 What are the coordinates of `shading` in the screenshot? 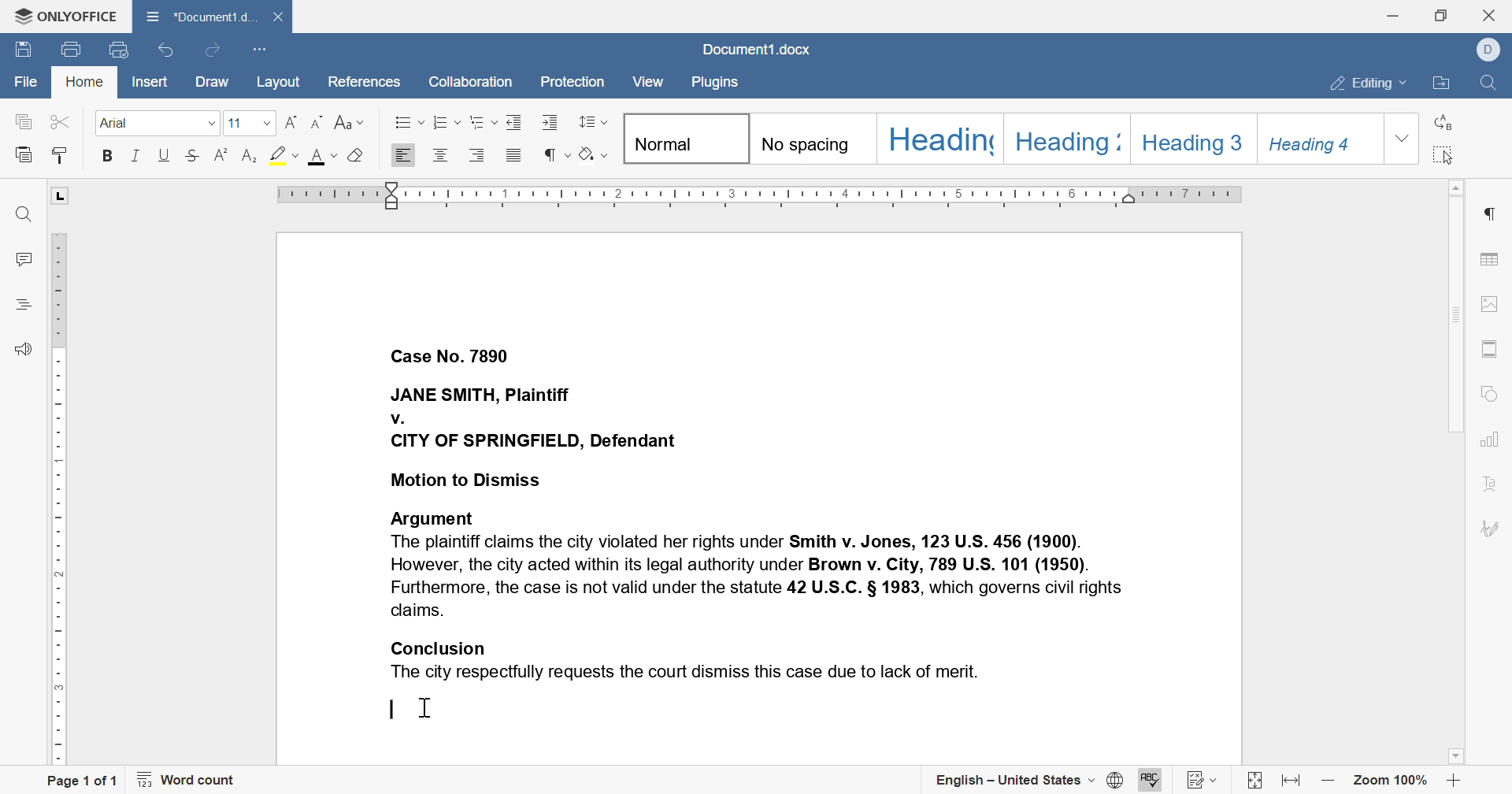 It's located at (594, 153).